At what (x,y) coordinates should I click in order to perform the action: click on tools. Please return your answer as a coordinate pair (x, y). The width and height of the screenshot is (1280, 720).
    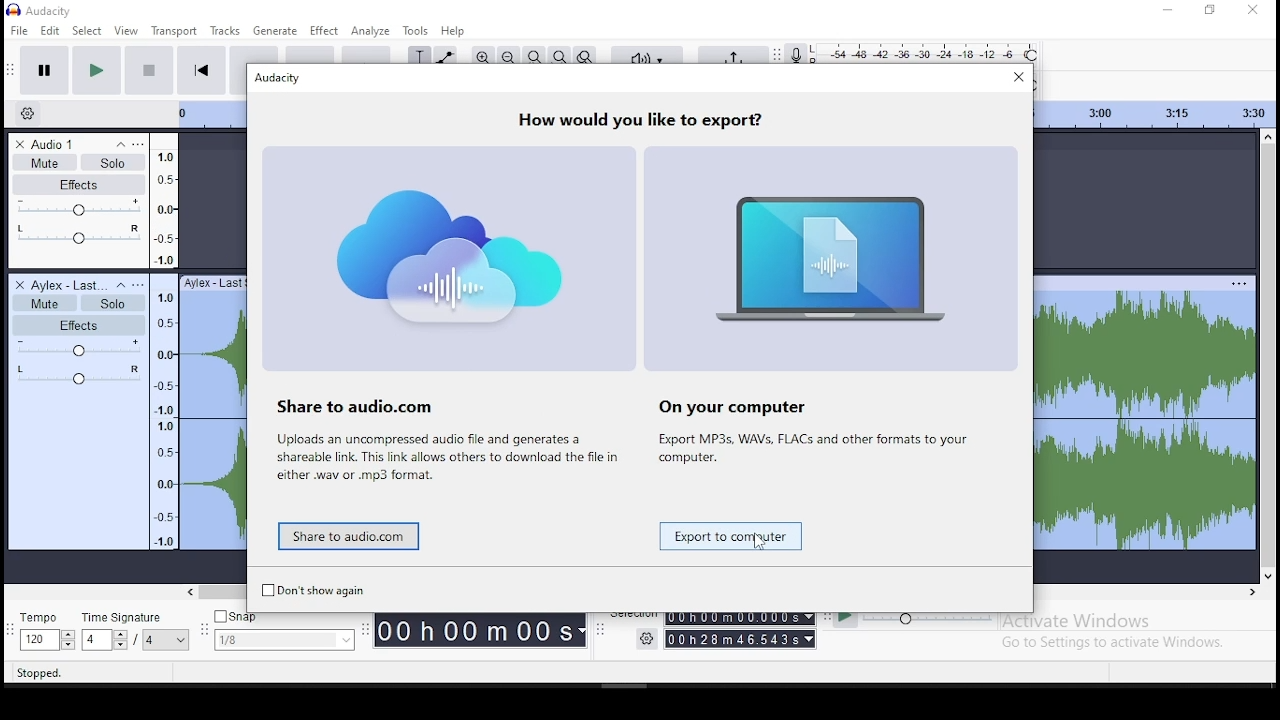
    Looking at the image, I should click on (418, 30).